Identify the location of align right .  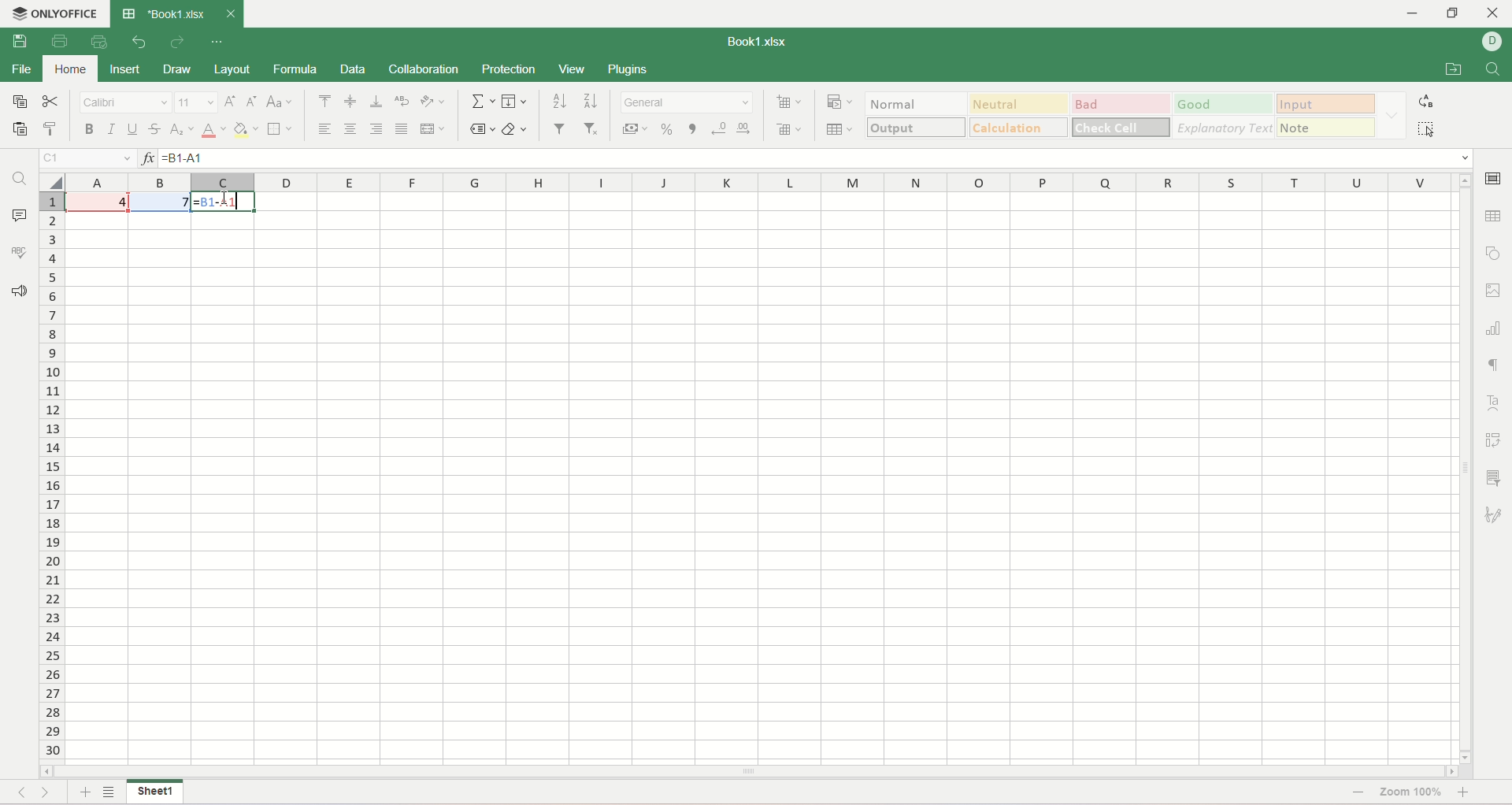
(376, 129).